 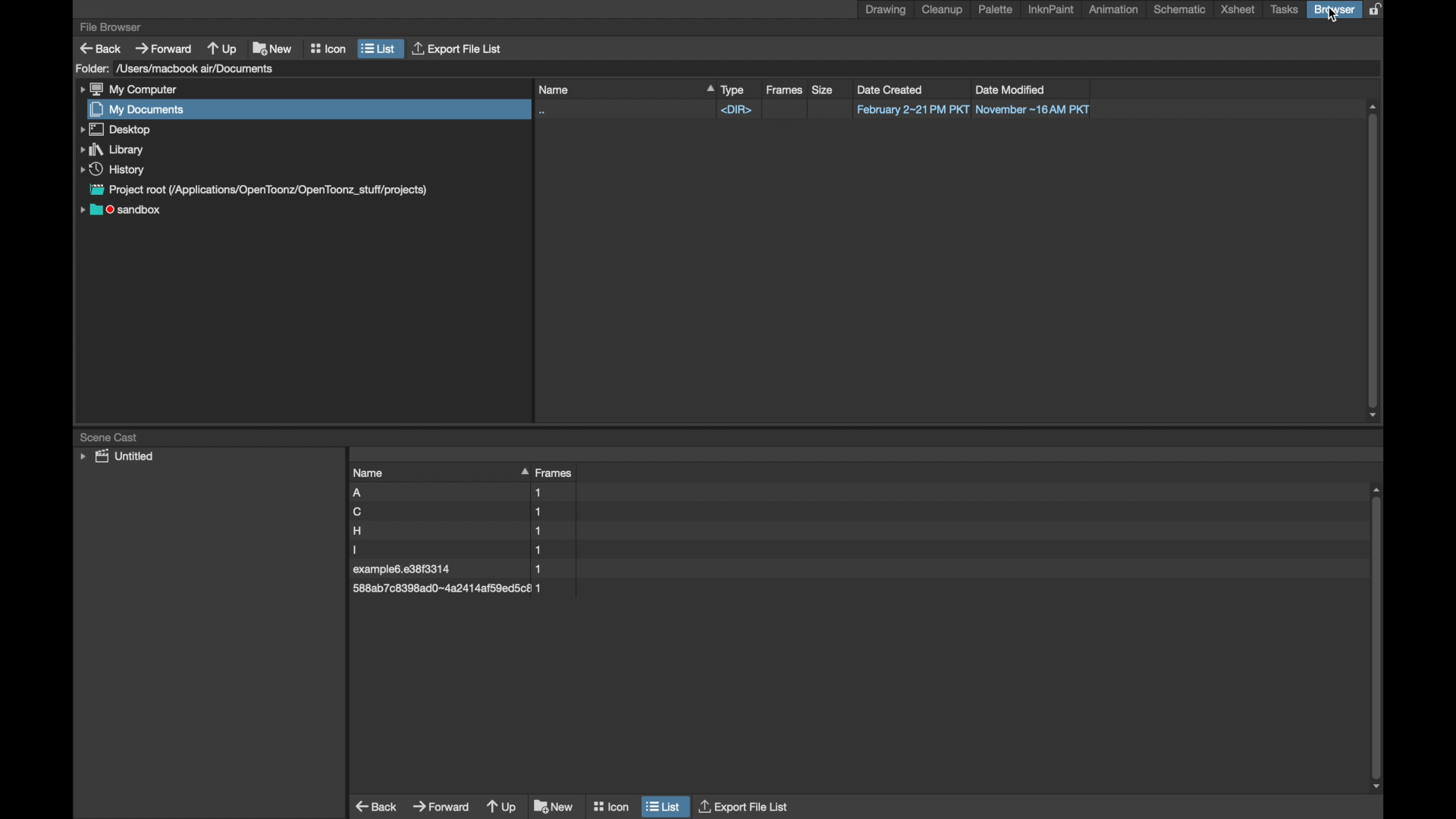 I want to click on date created, so click(x=891, y=89).